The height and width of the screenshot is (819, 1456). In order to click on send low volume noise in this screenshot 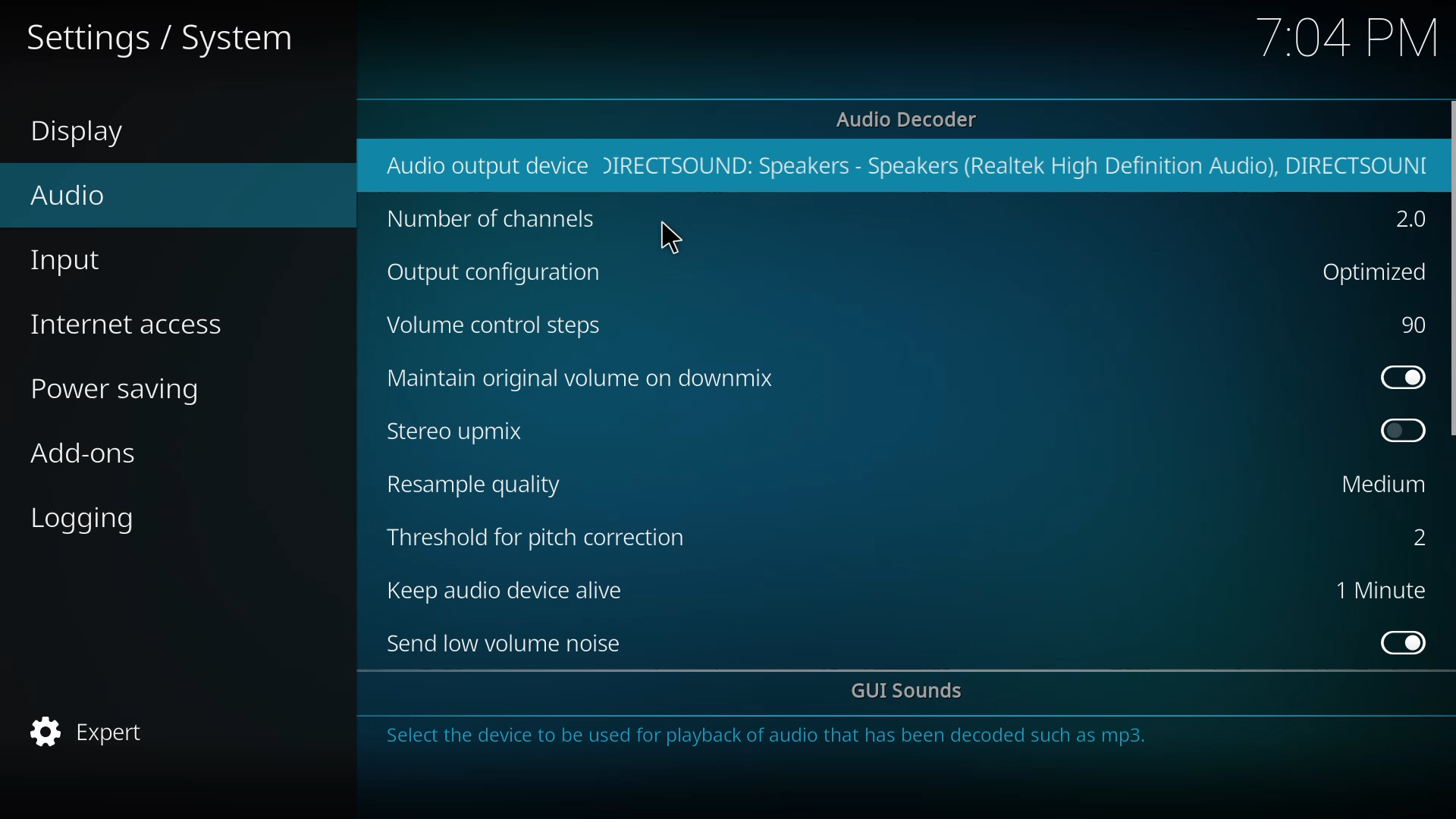, I will do `click(510, 644)`.